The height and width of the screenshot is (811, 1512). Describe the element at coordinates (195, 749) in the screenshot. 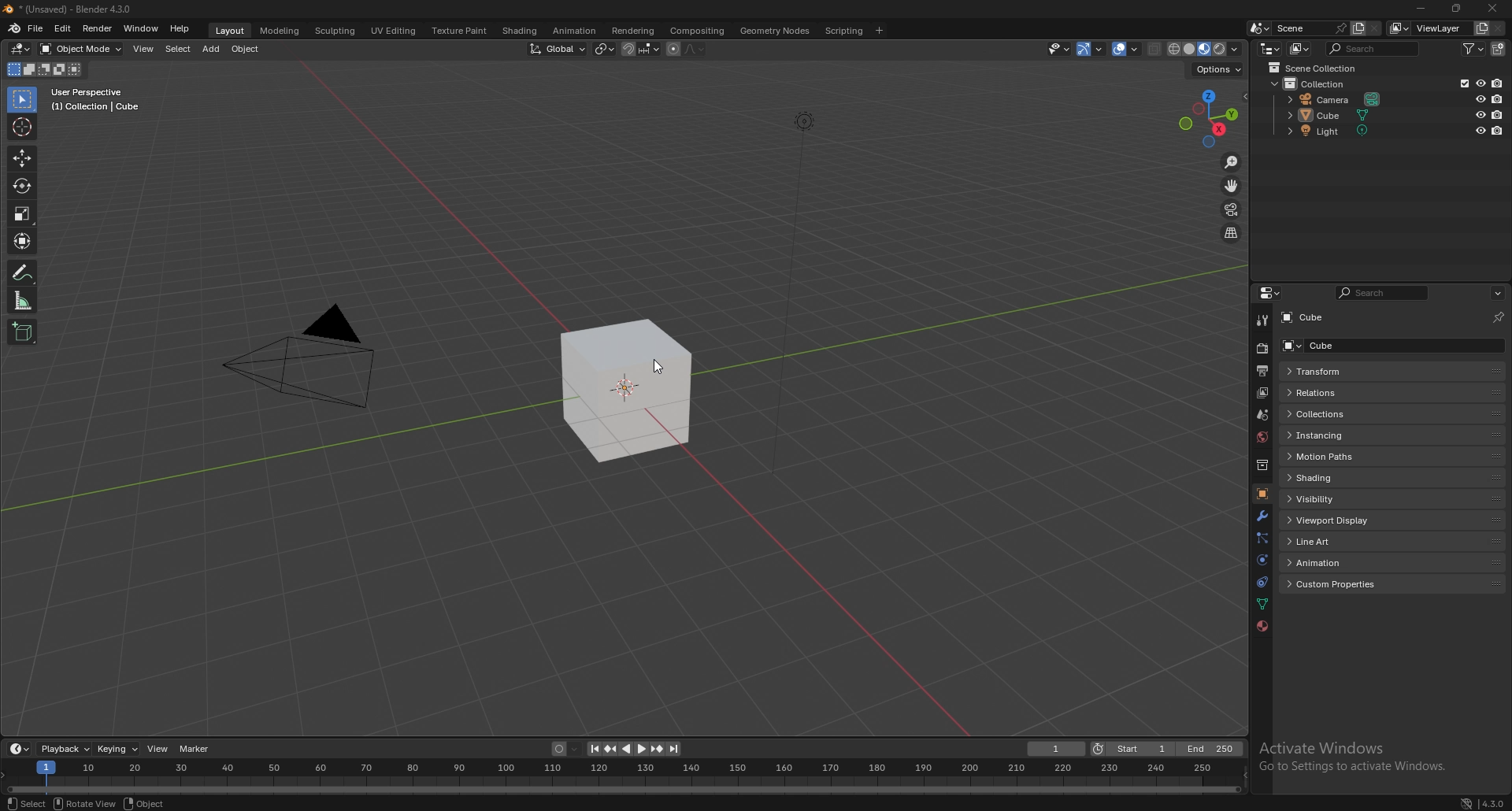

I see `marker` at that location.